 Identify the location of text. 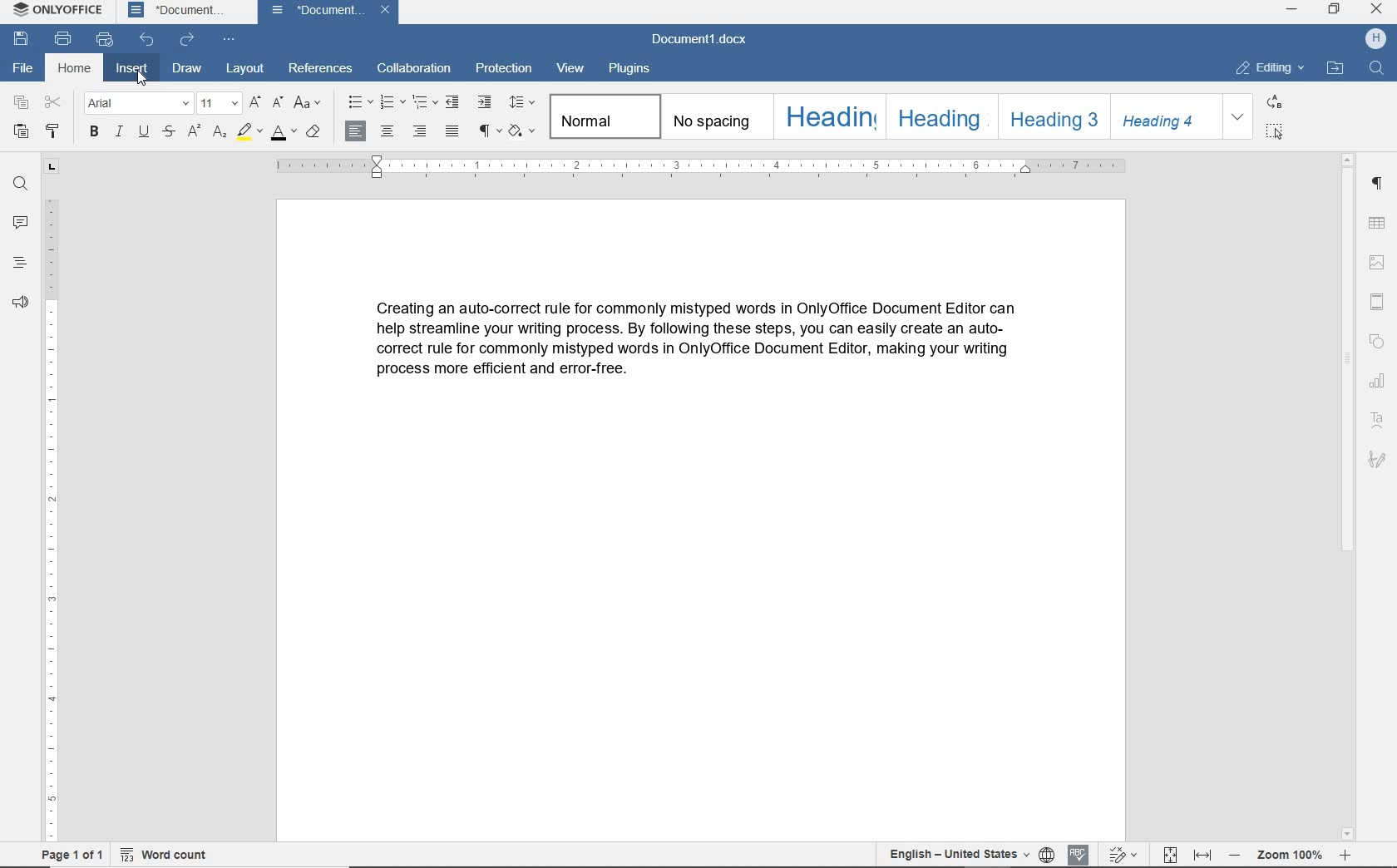
(704, 348).